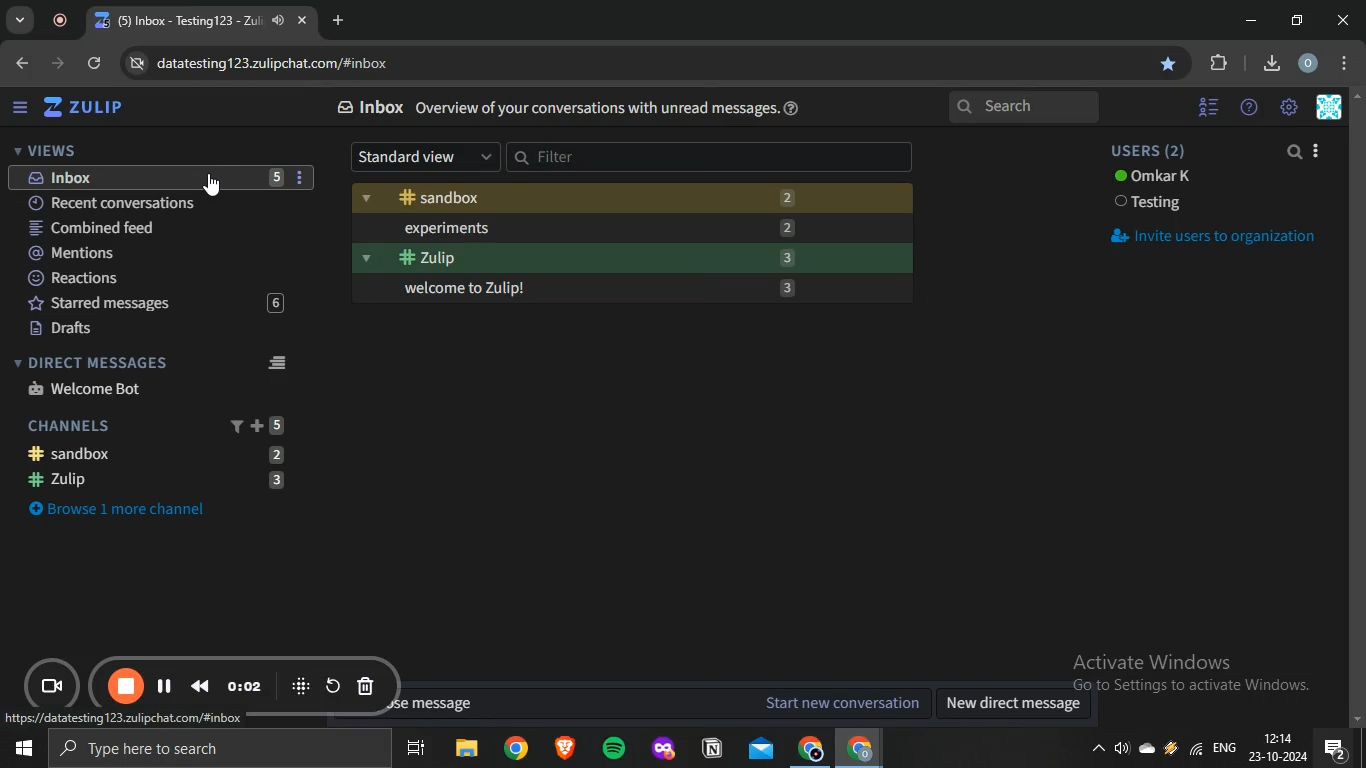 The image size is (1366, 768). I want to click on starred messages, so click(151, 304).